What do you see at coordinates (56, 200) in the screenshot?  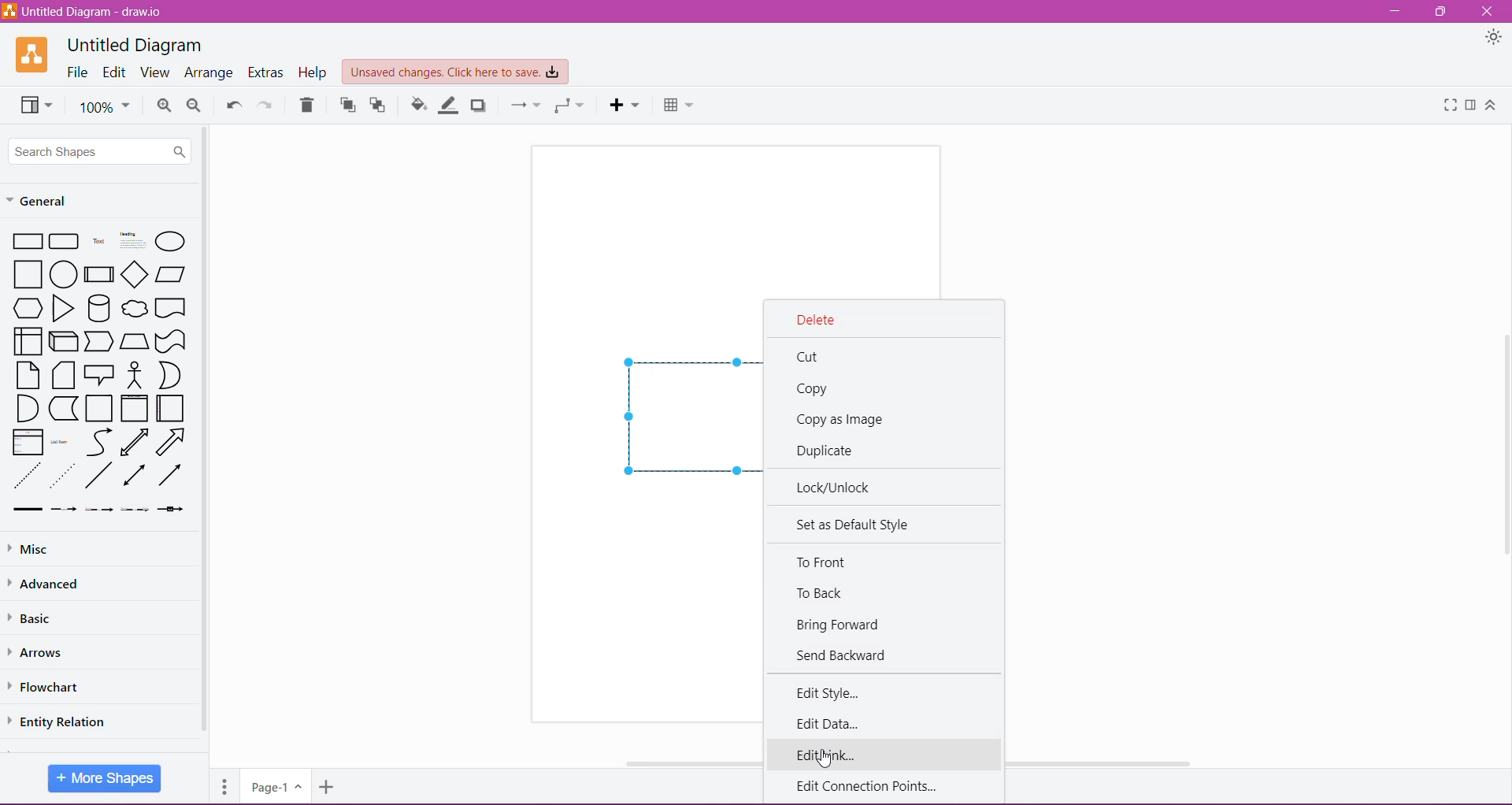 I see `general` at bounding box center [56, 200].